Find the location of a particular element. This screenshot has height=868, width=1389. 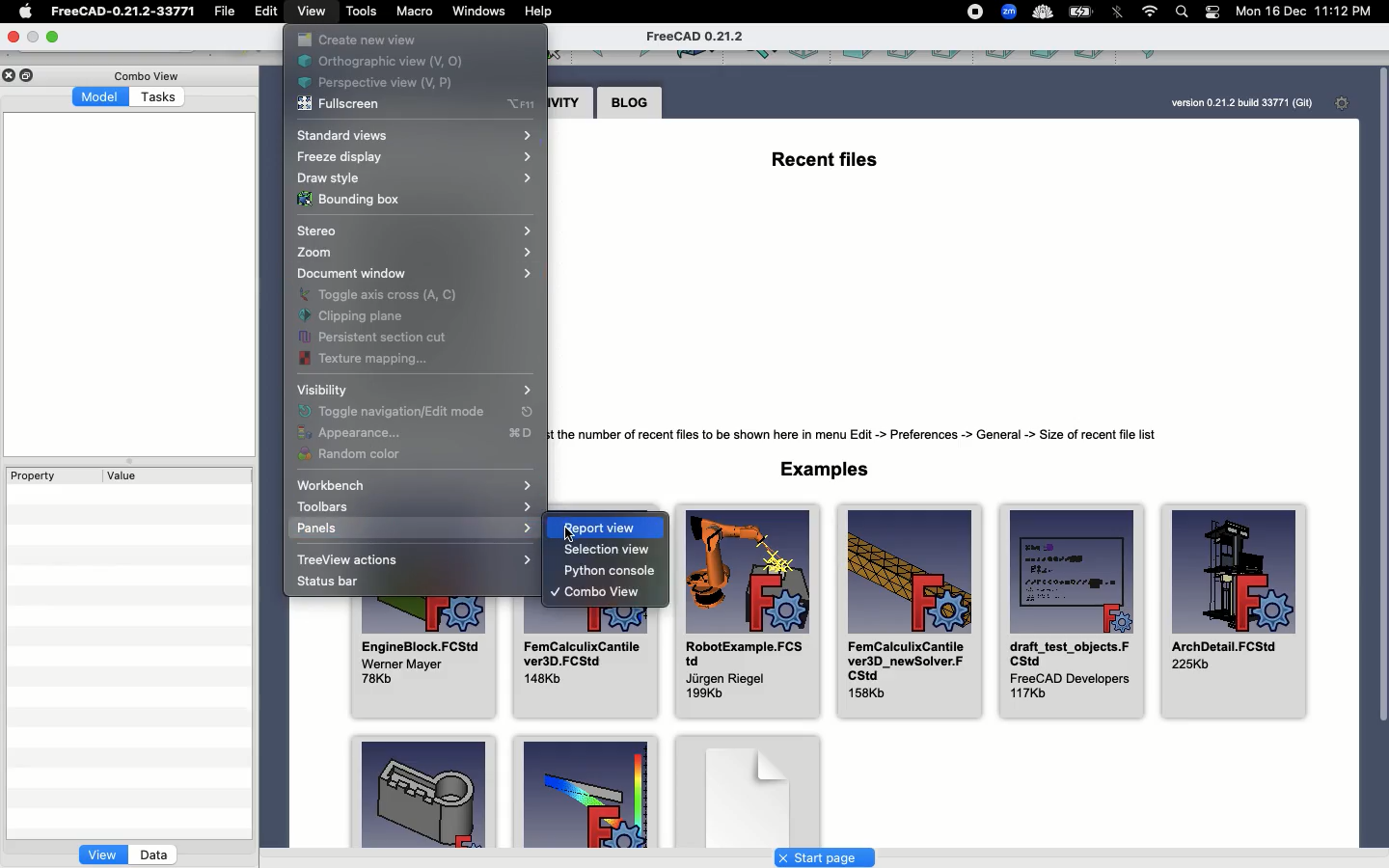

Python console is located at coordinates (609, 573).